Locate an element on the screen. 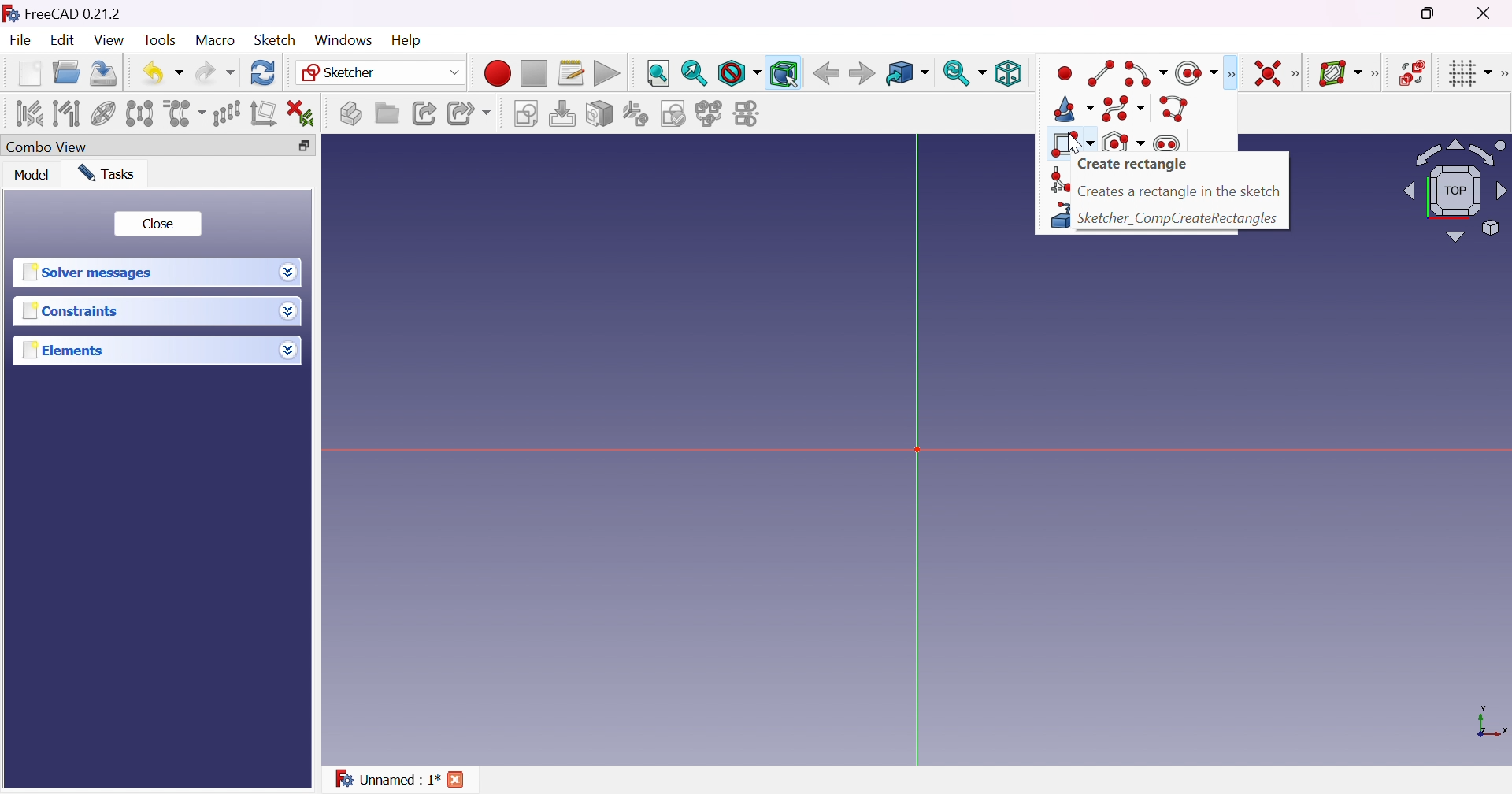  Make link is located at coordinates (427, 114).